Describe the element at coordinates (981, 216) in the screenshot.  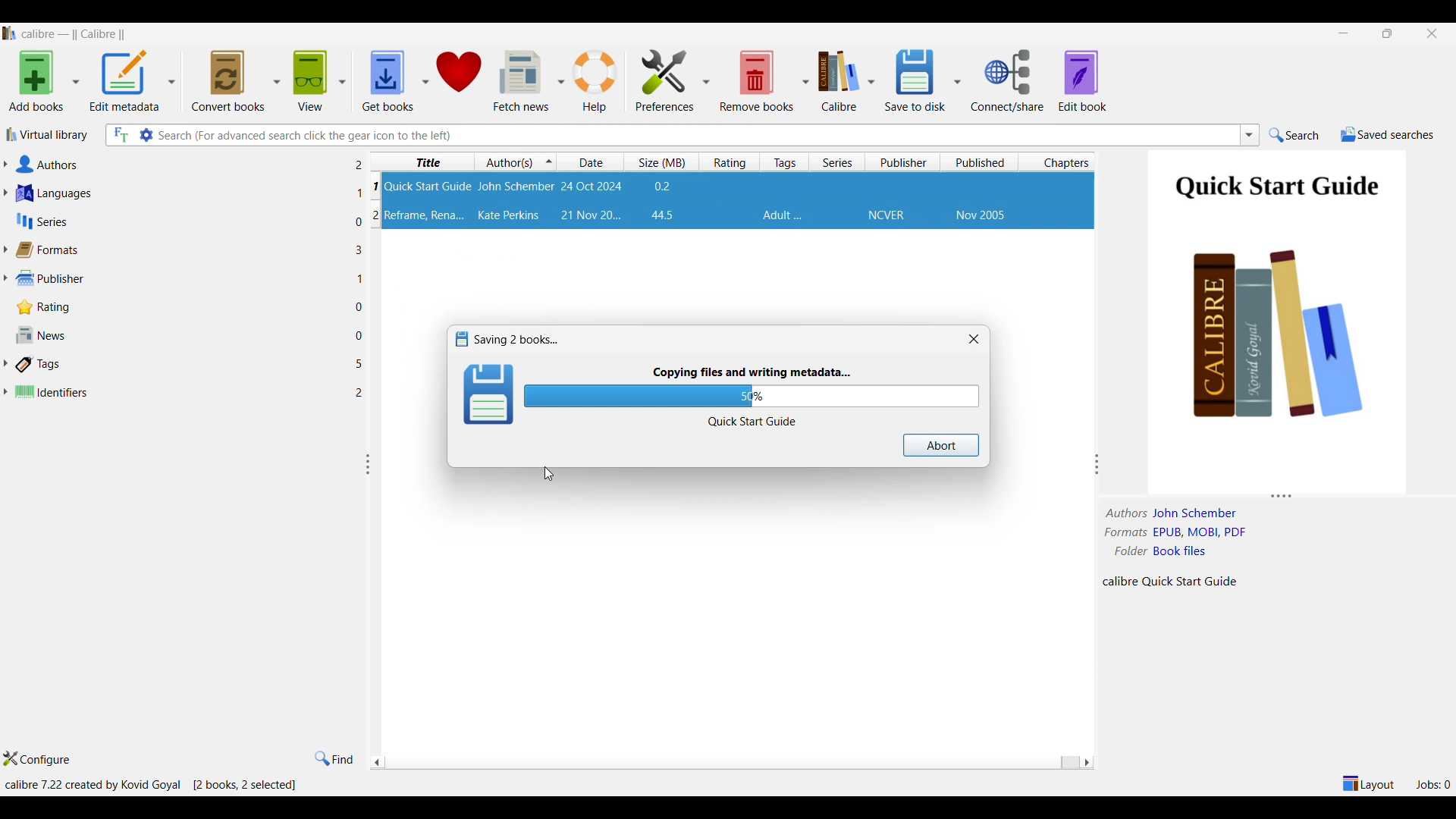
I see `Publish date` at that location.